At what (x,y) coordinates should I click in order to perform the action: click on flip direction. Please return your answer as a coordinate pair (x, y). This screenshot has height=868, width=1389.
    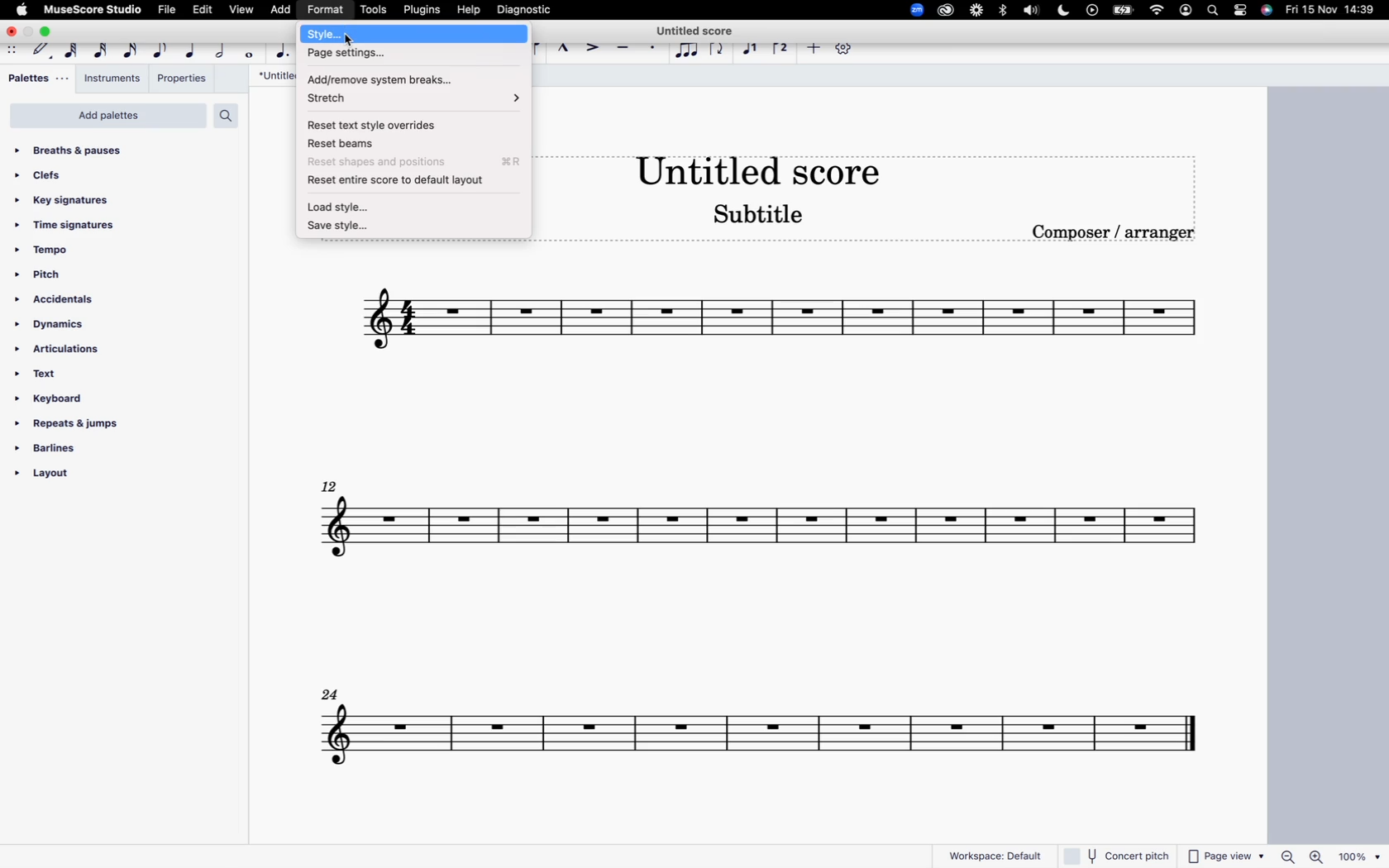
    Looking at the image, I should click on (721, 50).